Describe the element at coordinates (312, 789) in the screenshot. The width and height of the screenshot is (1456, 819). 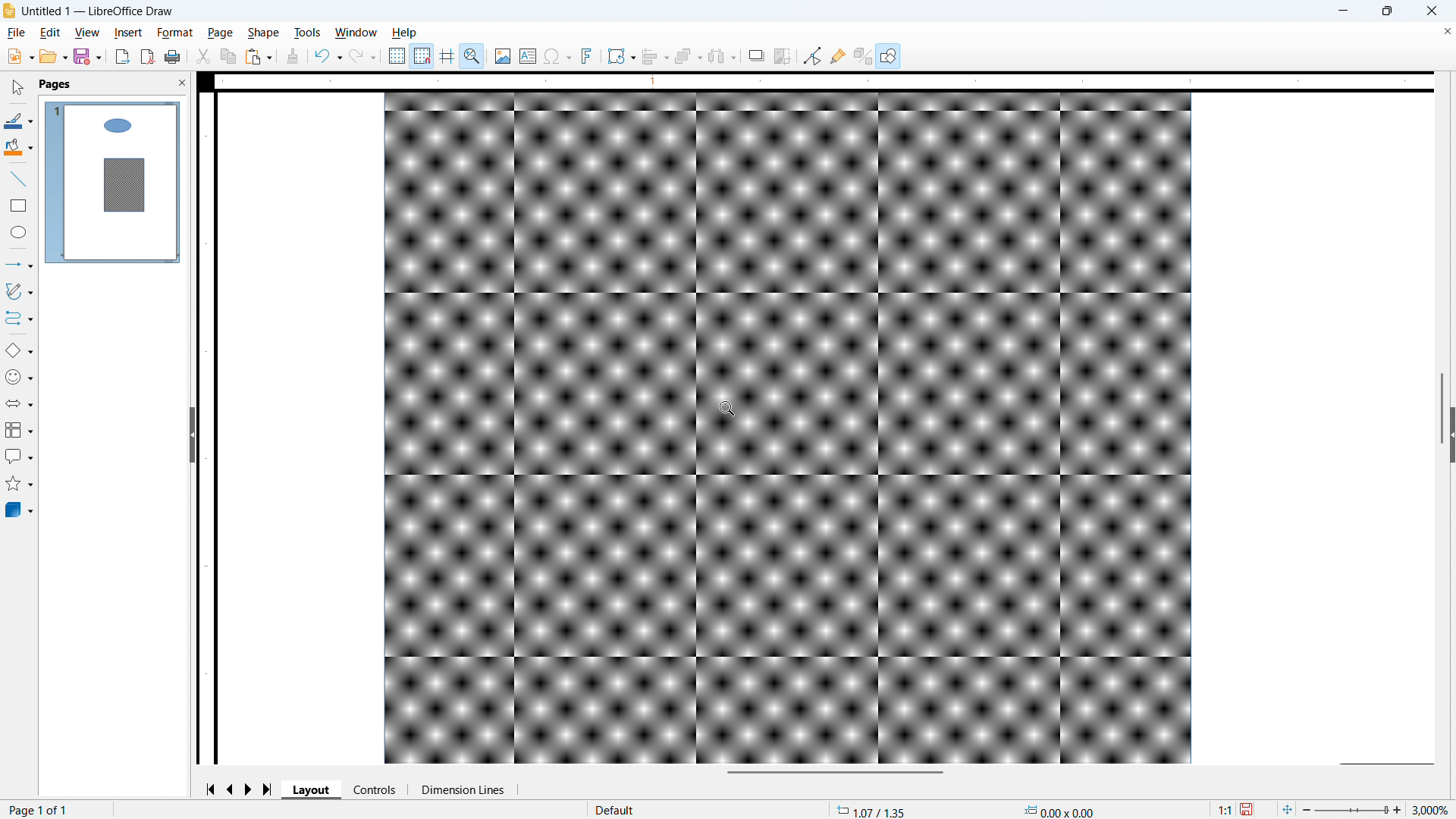
I see `Layout ` at that location.